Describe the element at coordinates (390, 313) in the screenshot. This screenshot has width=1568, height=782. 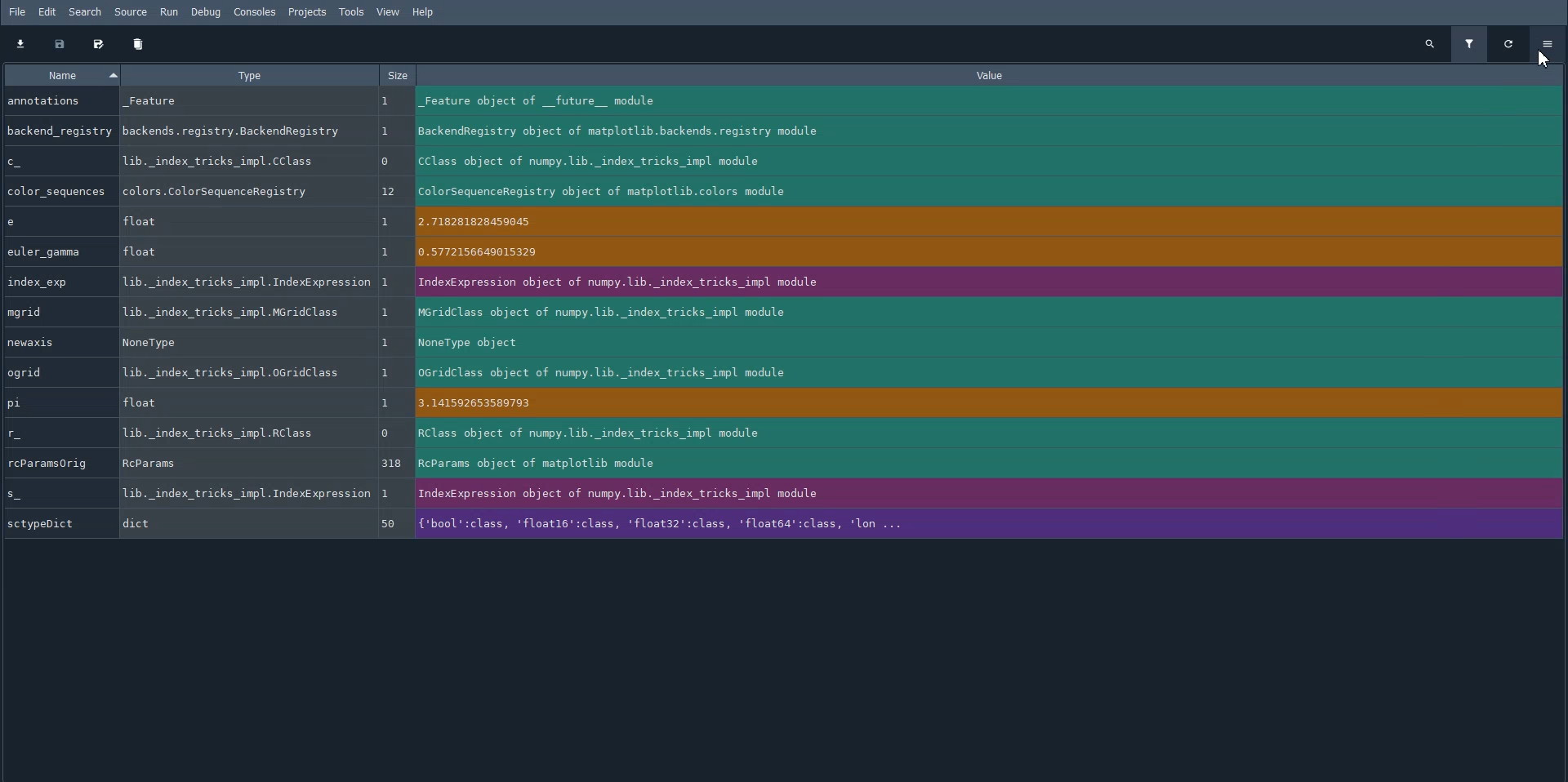
I see `` at that location.